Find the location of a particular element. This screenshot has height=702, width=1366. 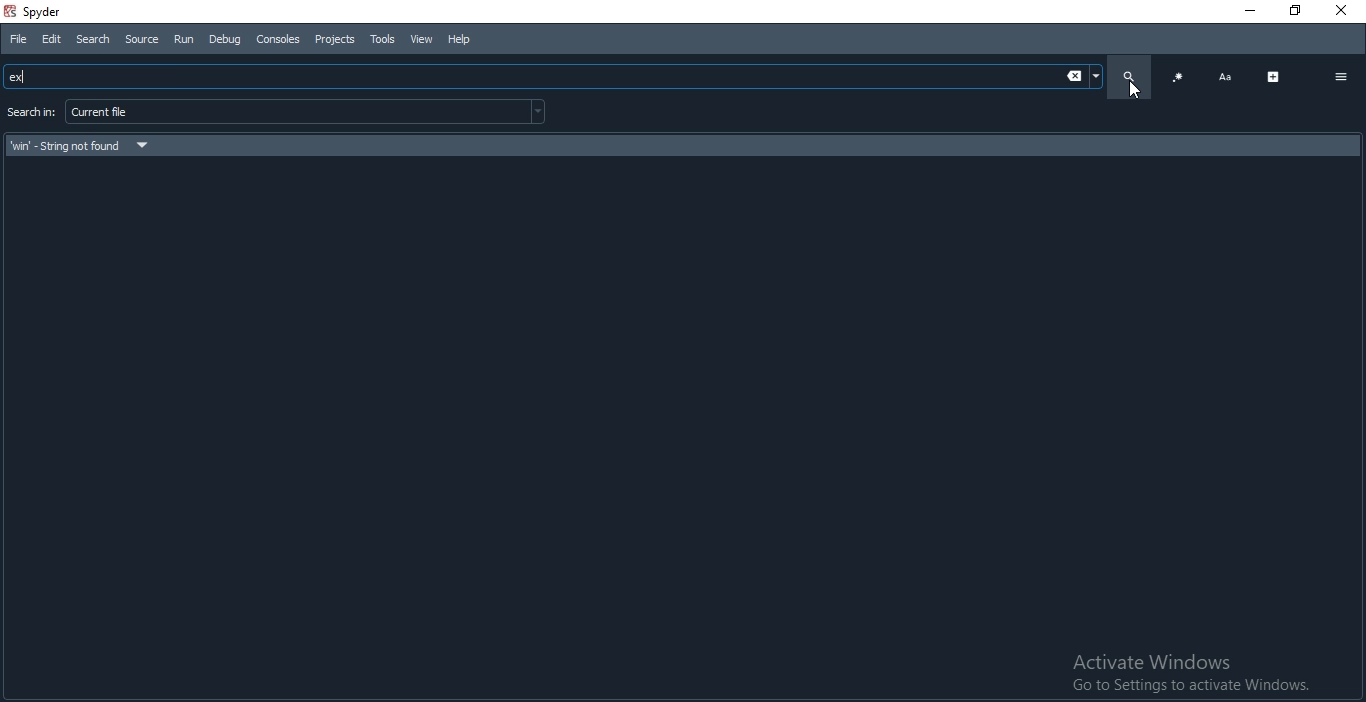

code blocks is located at coordinates (1178, 77).